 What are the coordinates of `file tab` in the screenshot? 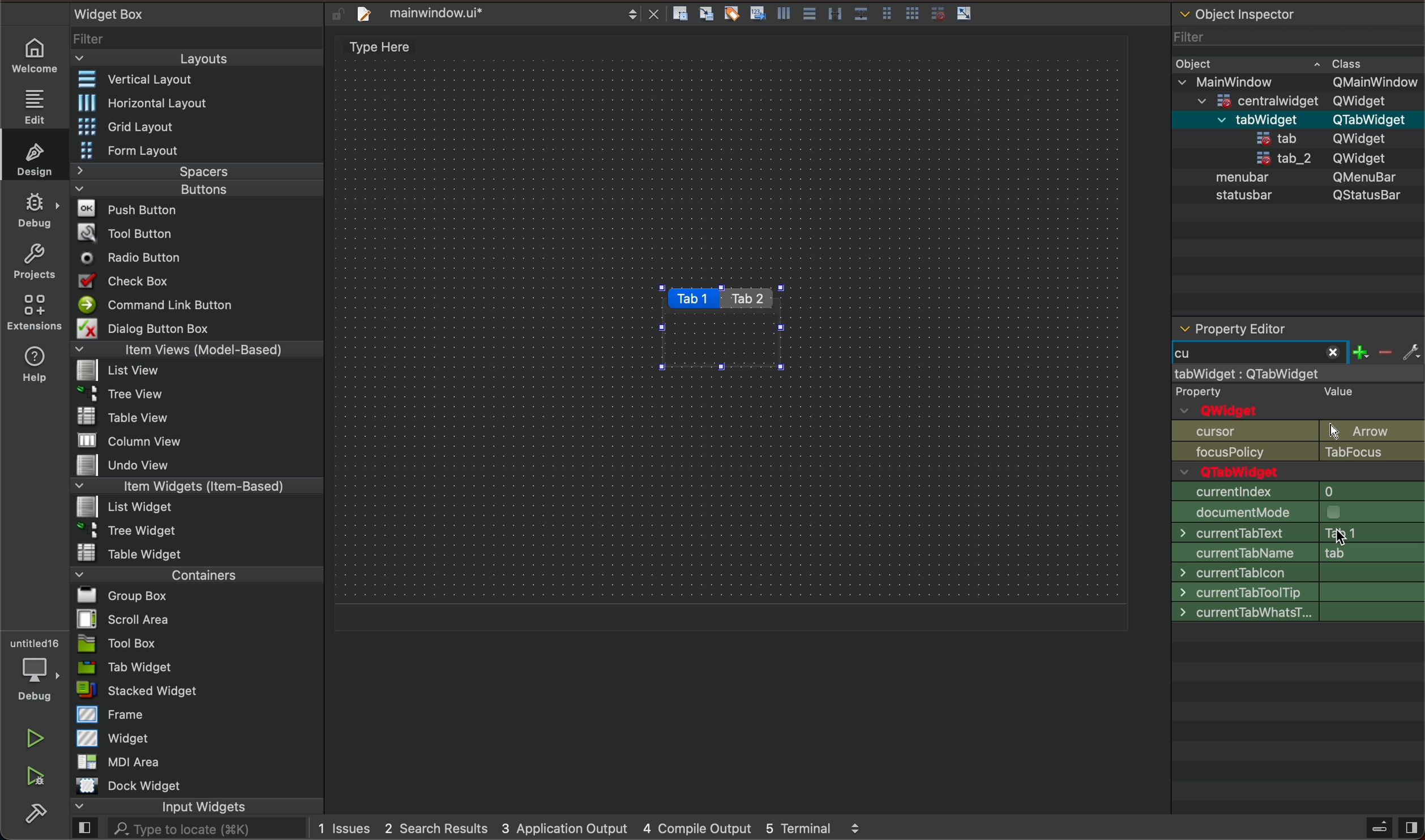 It's located at (502, 14).